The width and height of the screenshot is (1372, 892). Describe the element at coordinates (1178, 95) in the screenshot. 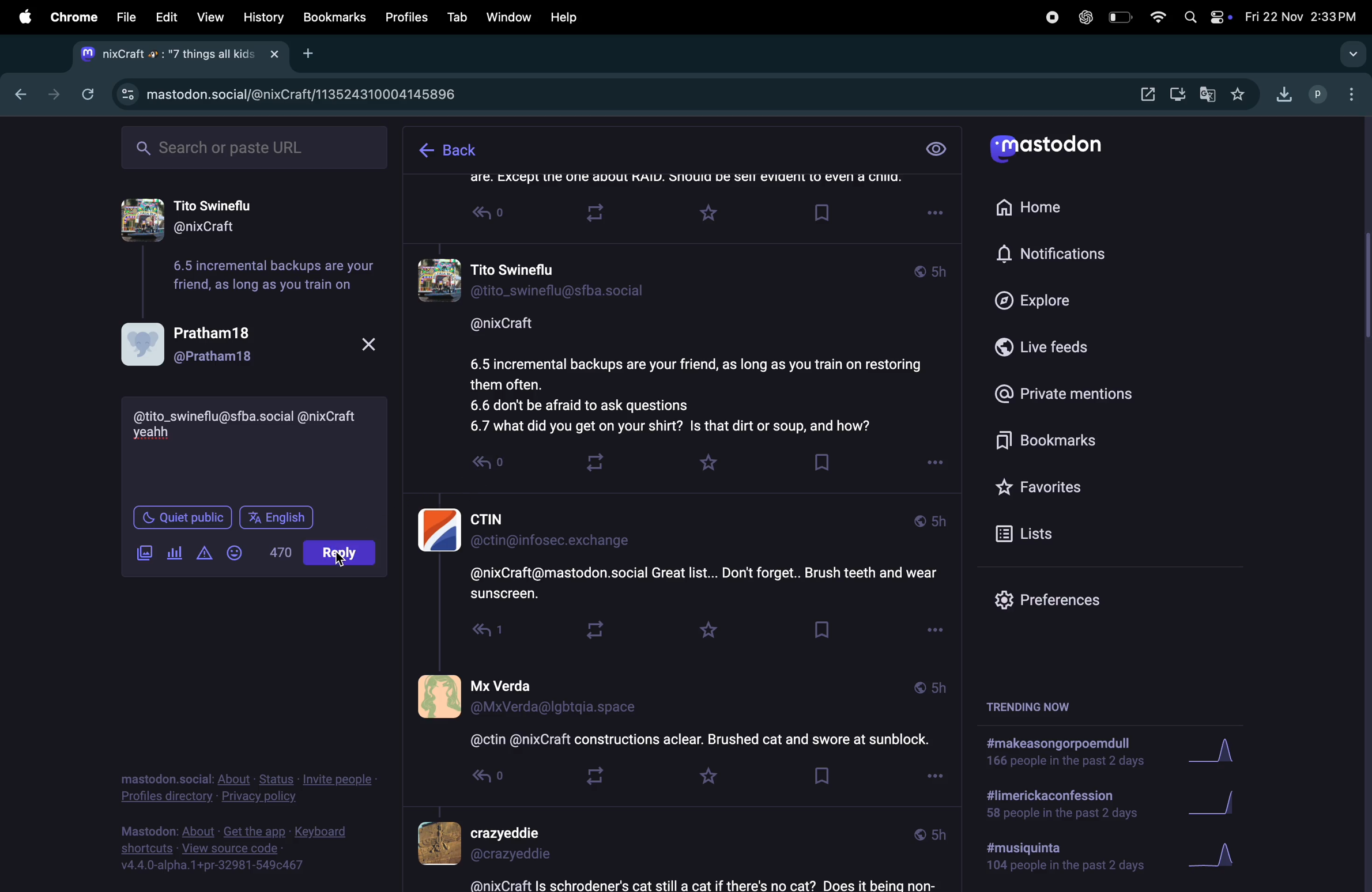

I see `download` at that location.